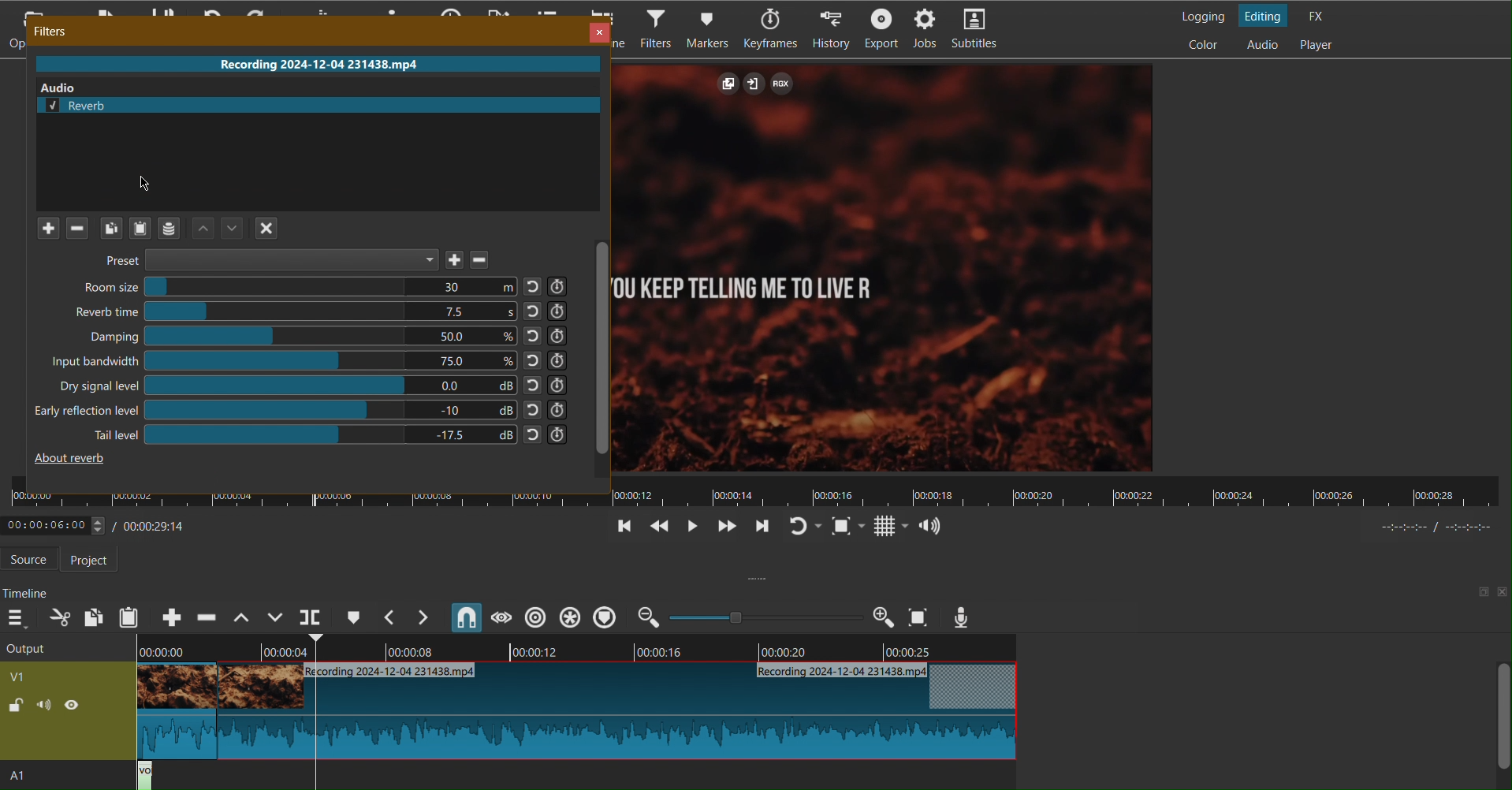 The image size is (1512, 790). I want to click on Reverb Size, so click(322, 312).